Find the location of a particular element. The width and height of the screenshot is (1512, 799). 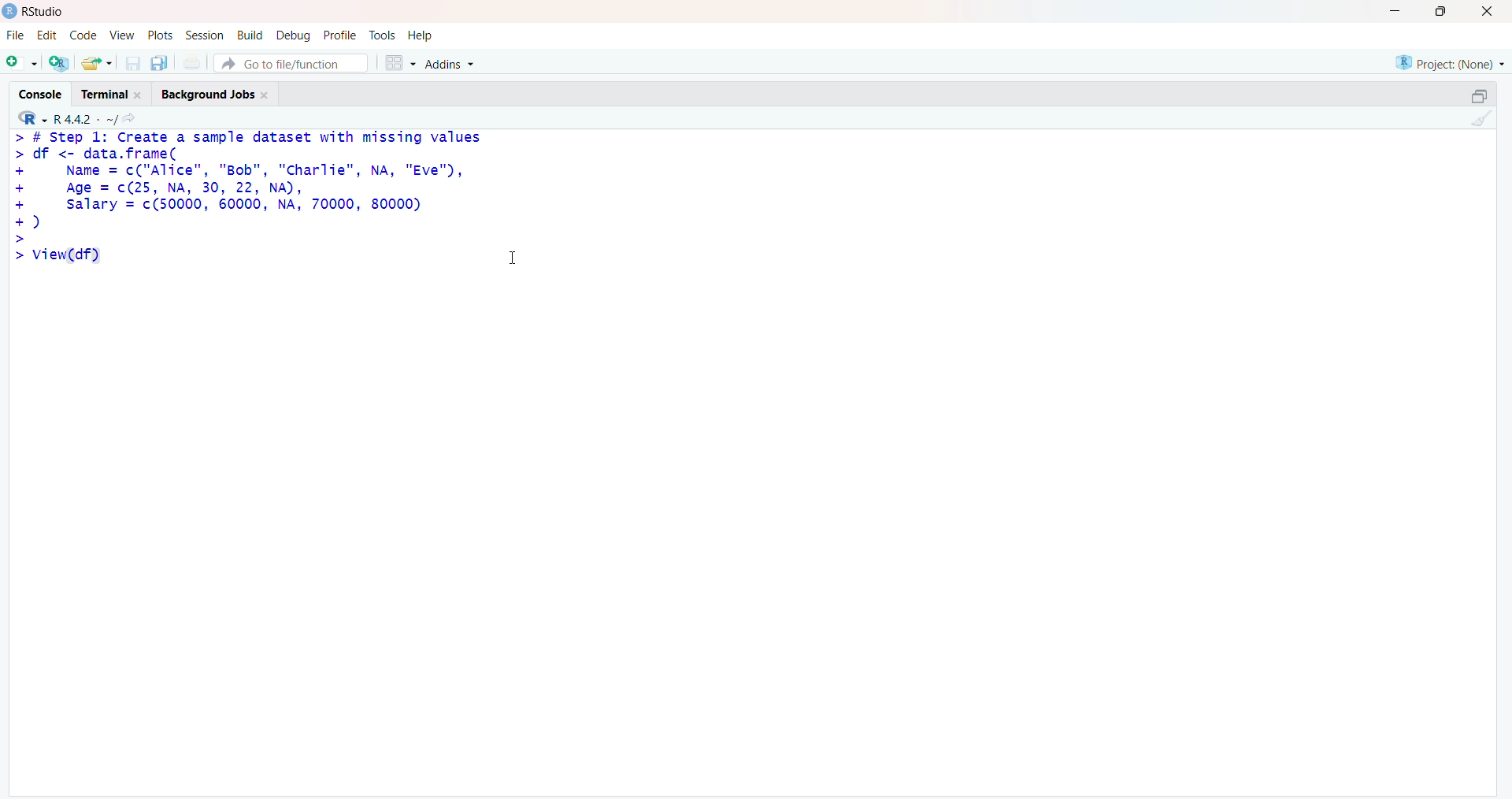

Background Jobs is located at coordinates (220, 93).